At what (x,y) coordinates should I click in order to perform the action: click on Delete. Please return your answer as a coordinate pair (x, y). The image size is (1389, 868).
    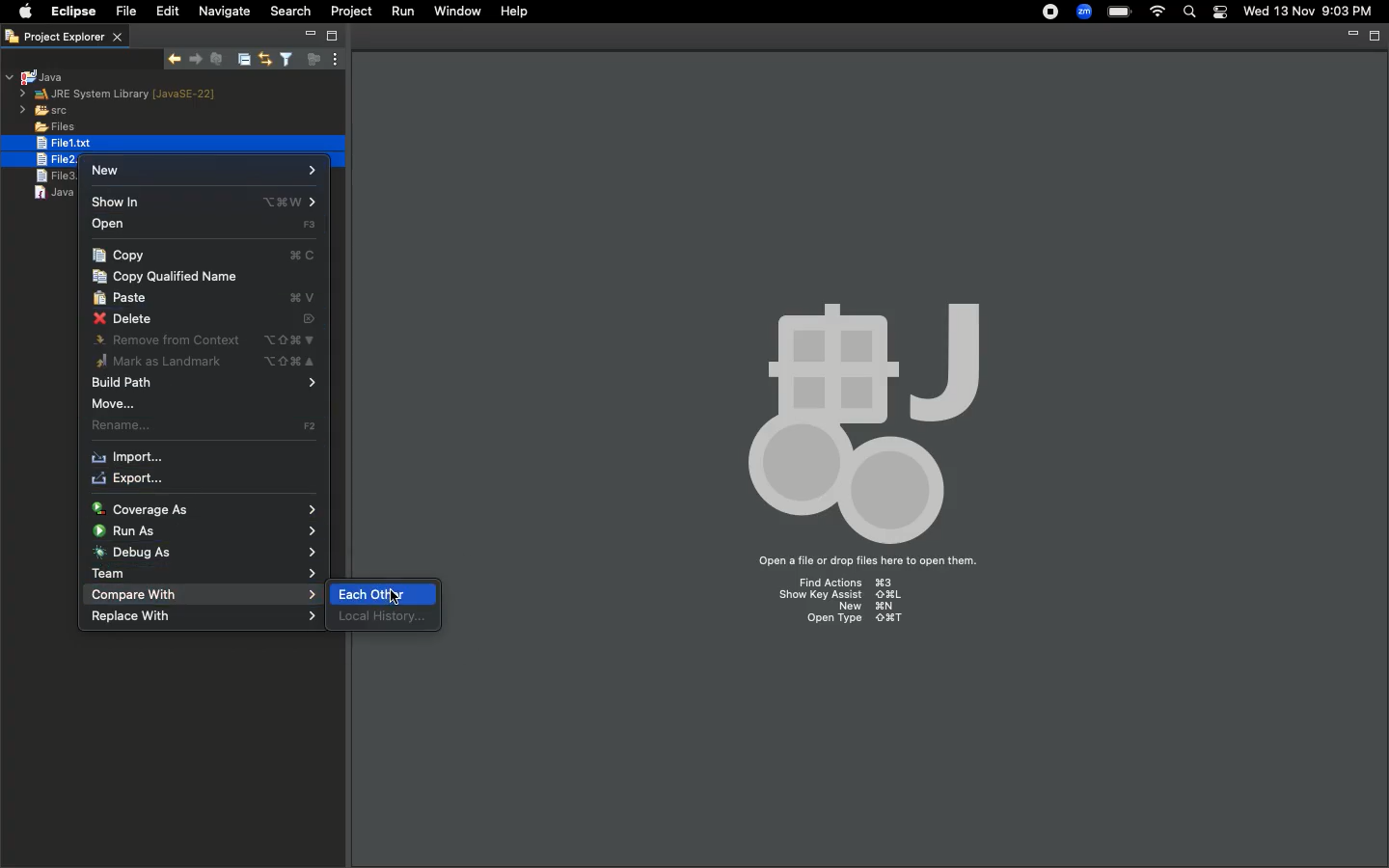
    Looking at the image, I should click on (207, 318).